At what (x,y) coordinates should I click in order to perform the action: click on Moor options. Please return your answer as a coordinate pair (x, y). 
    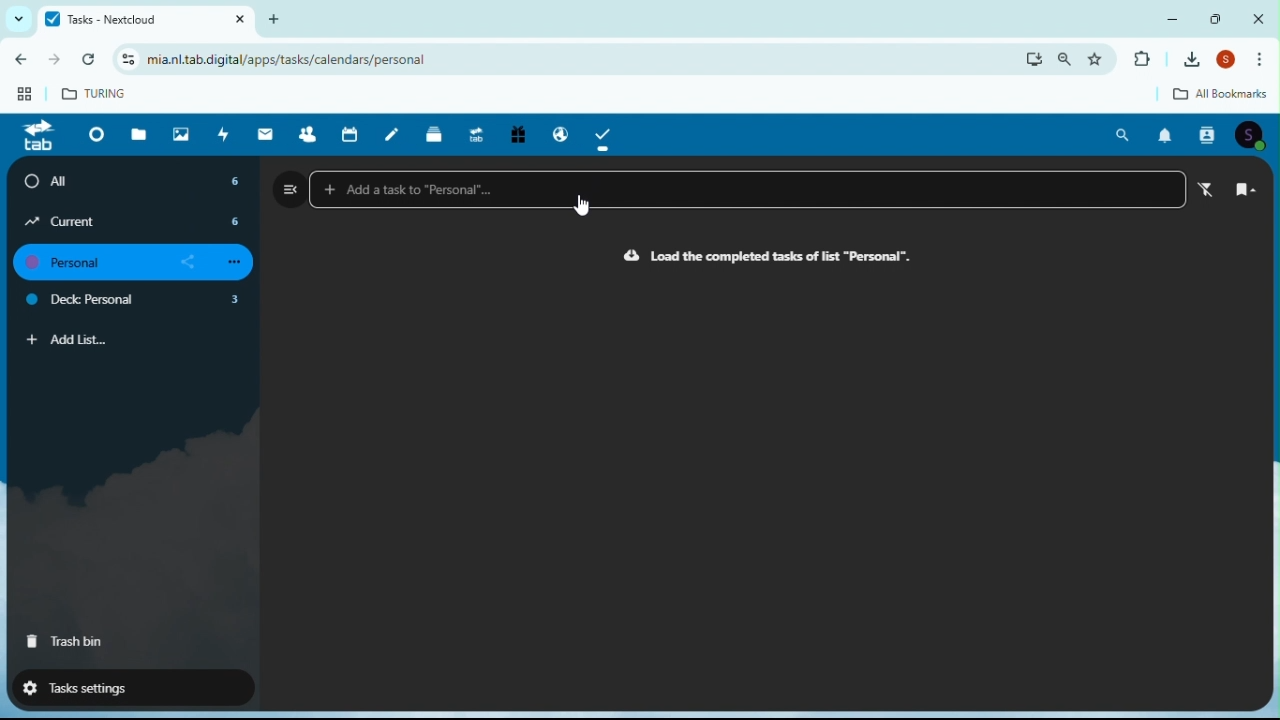
    Looking at the image, I should click on (1265, 60).